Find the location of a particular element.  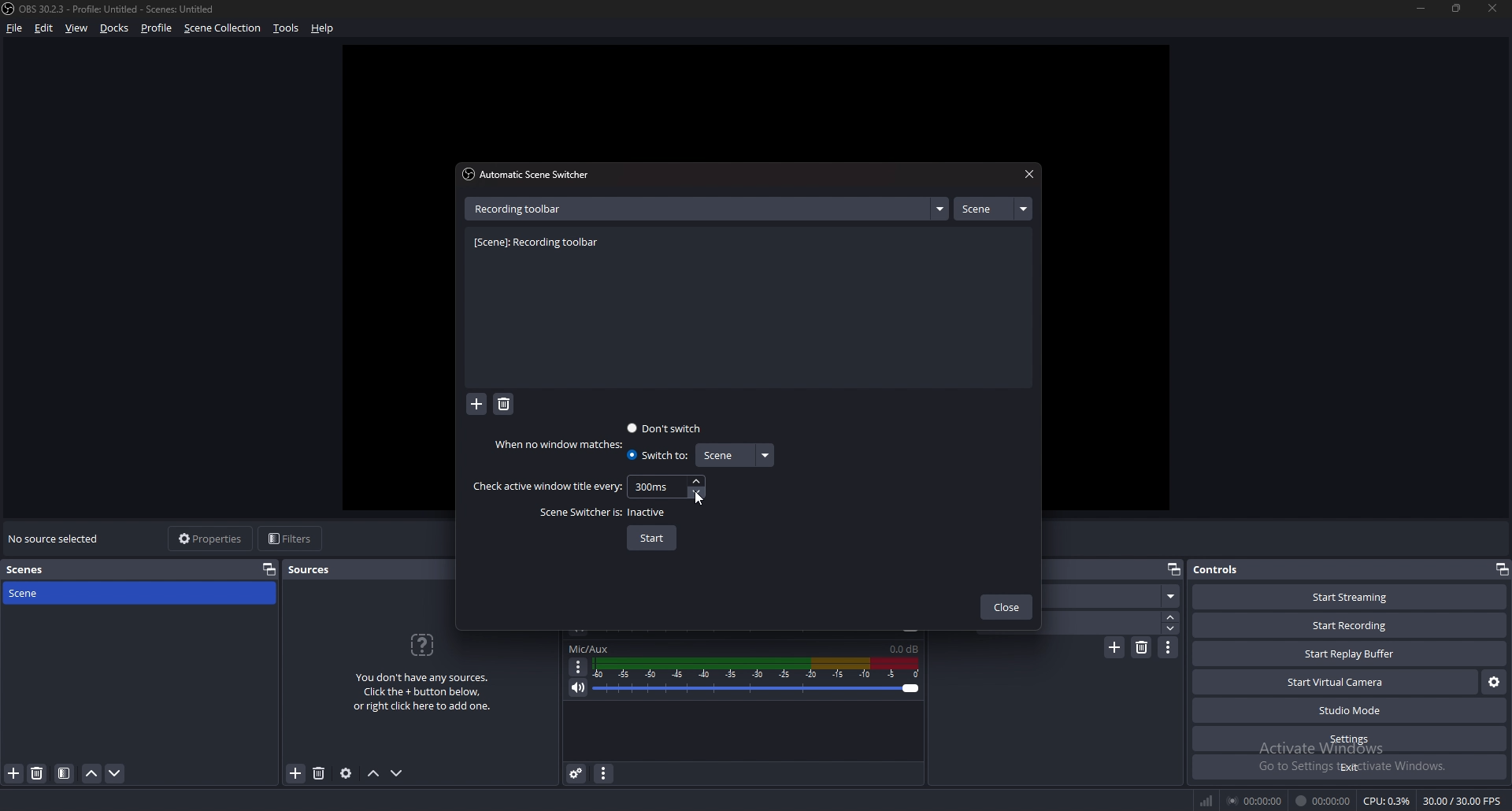

decrease duration is located at coordinates (1173, 628).